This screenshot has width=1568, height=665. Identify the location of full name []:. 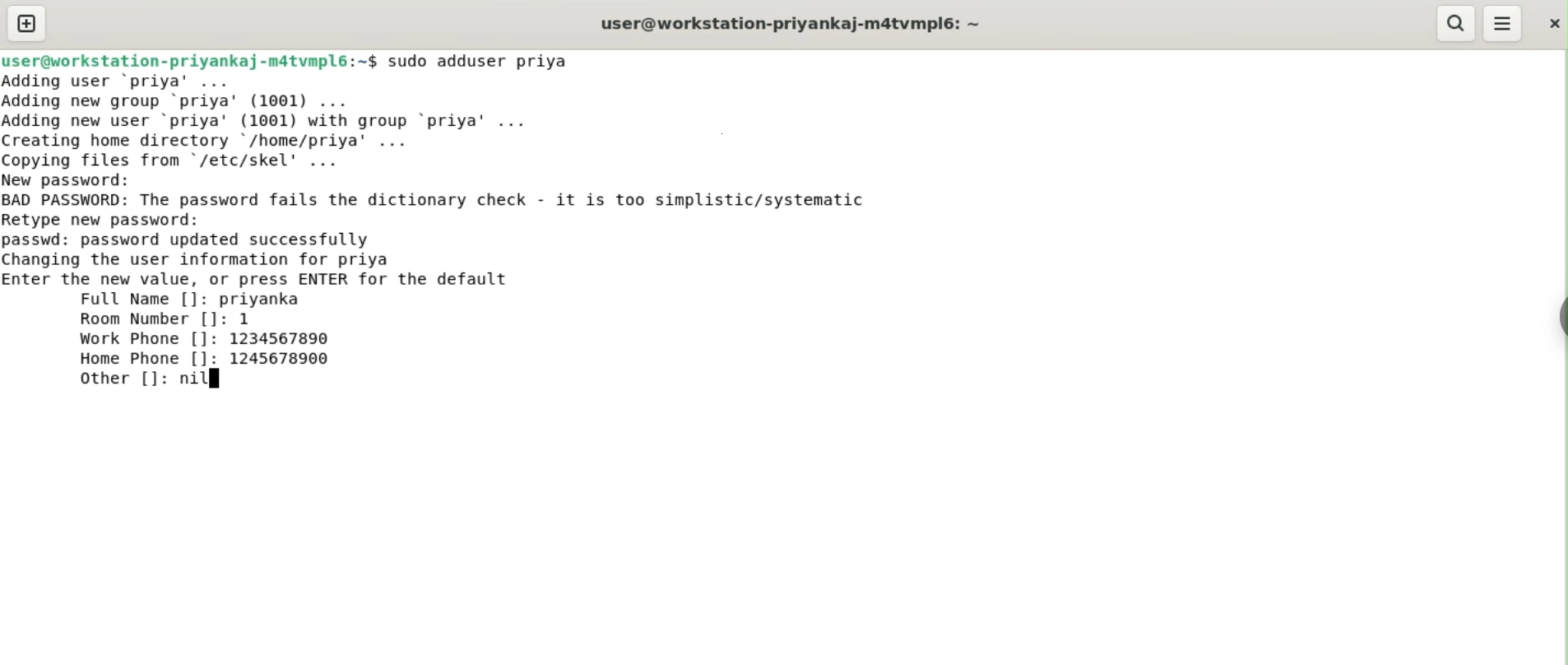
(140, 300).